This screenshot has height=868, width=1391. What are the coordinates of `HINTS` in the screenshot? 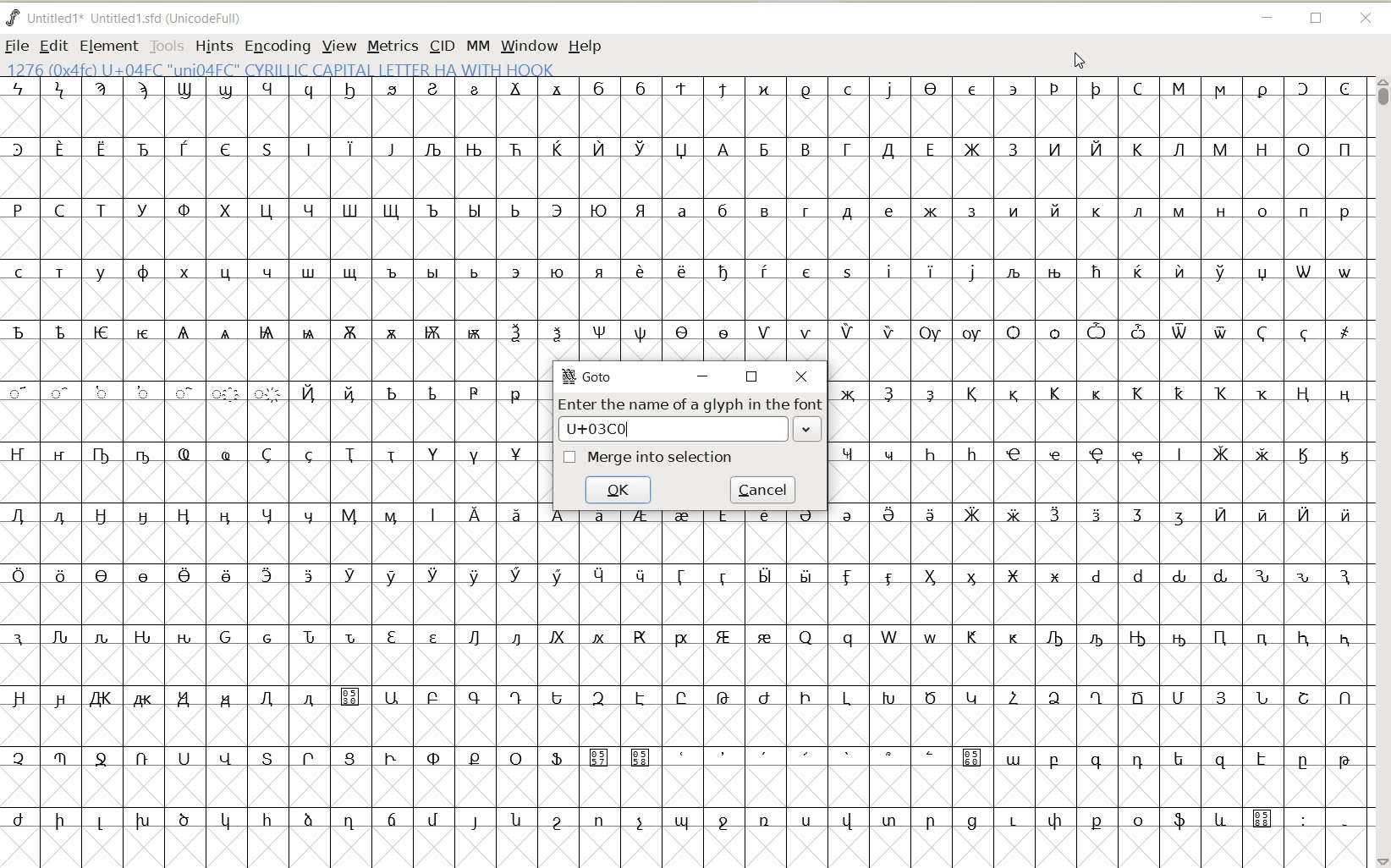 It's located at (212, 47).